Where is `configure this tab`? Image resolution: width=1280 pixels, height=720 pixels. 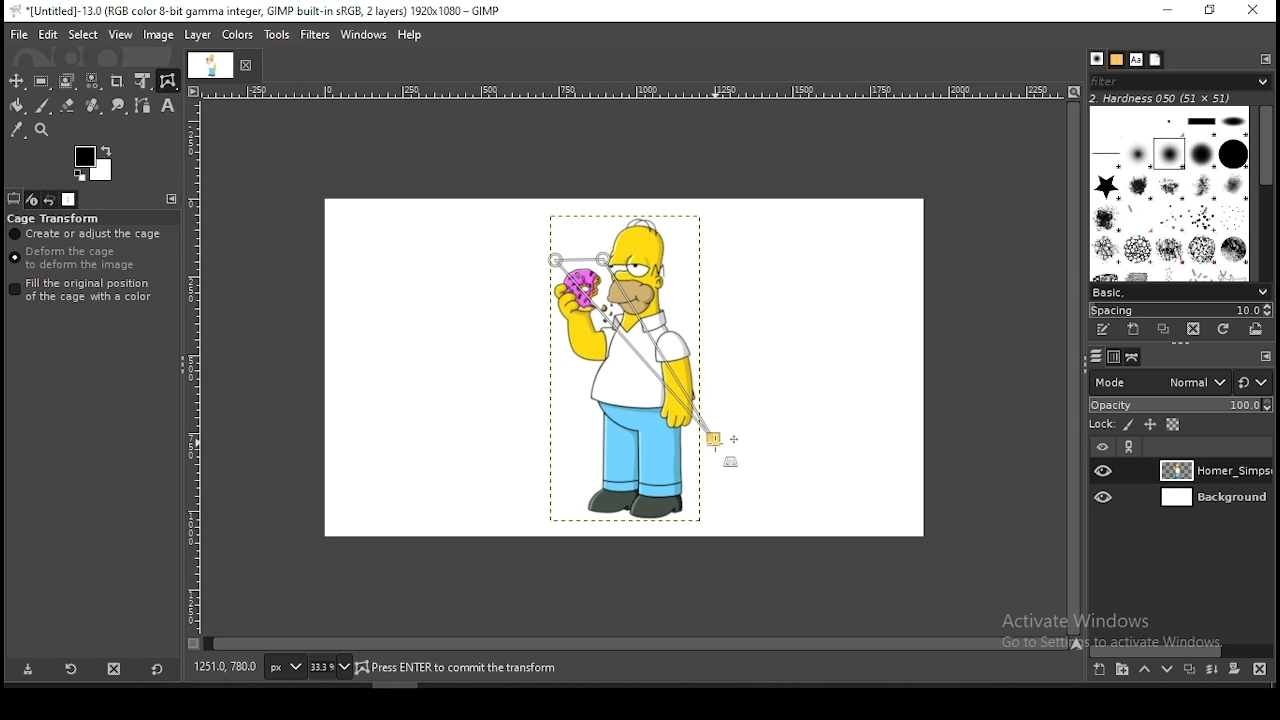
configure this tab is located at coordinates (175, 200).